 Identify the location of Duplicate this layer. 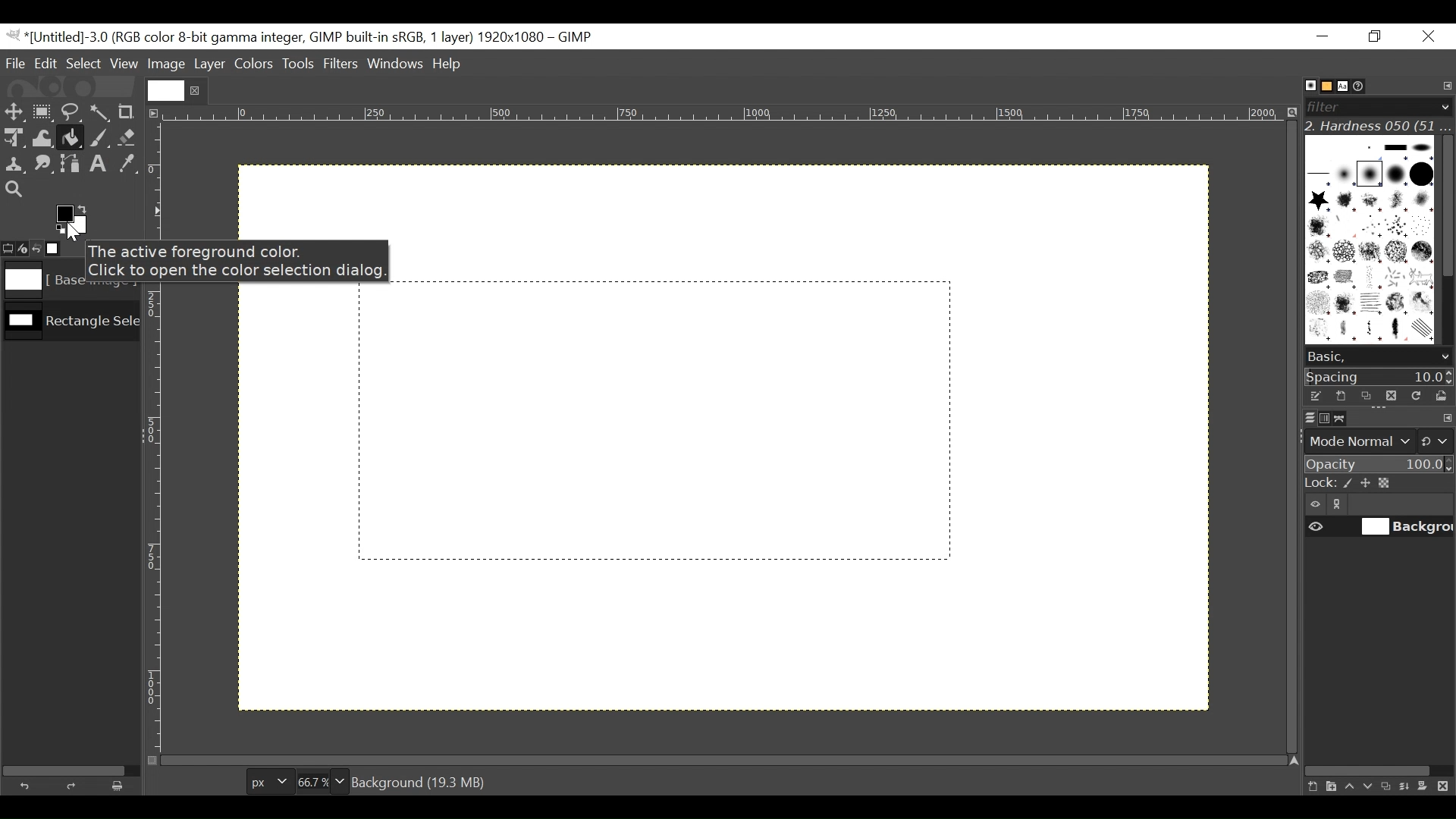
(1389, 786).